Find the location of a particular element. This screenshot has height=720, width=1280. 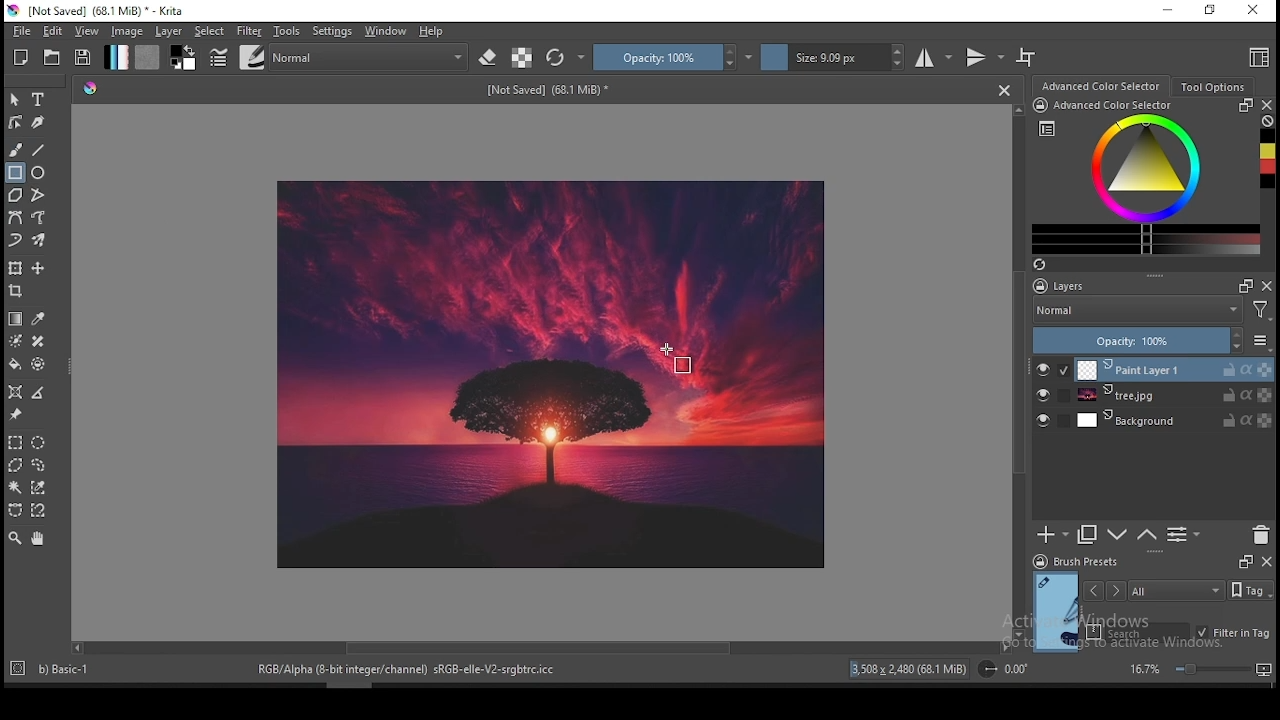

smart patch tool is located at coordinates (38, 341).